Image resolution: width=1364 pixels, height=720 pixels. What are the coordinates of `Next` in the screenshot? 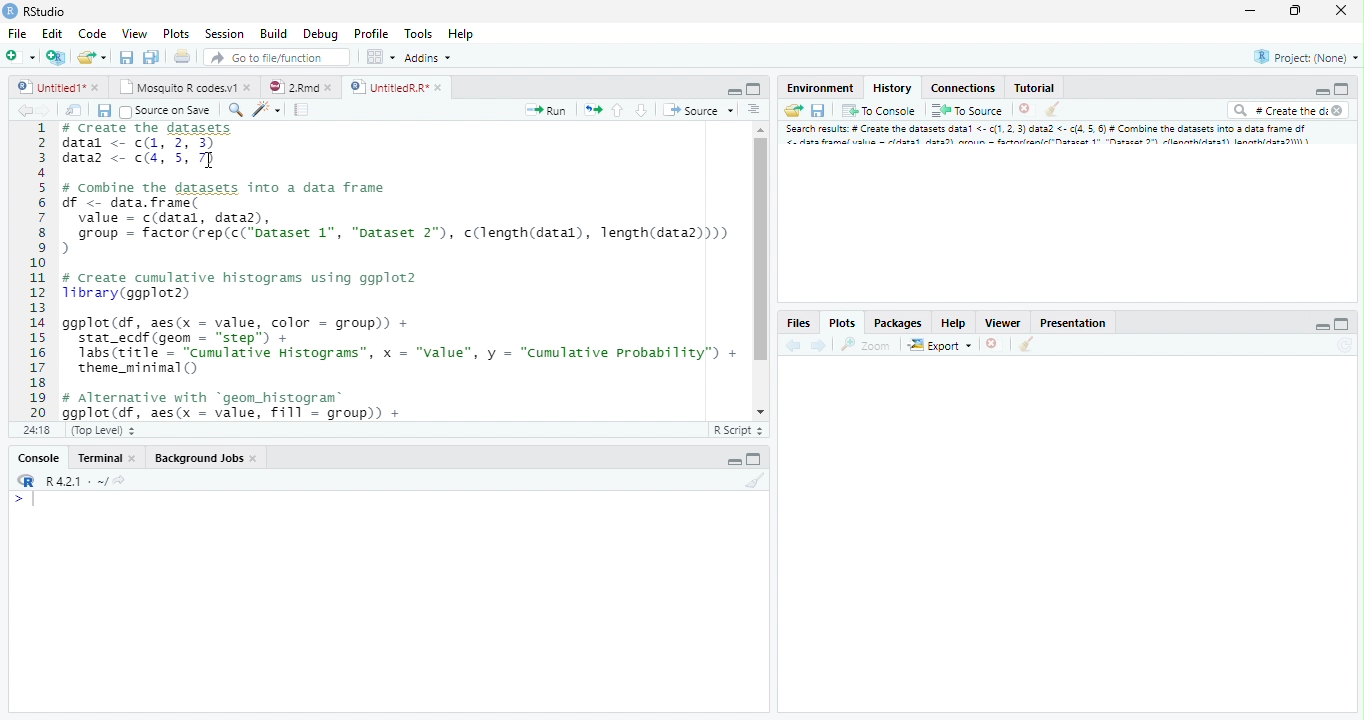 It's located at (43, 114).